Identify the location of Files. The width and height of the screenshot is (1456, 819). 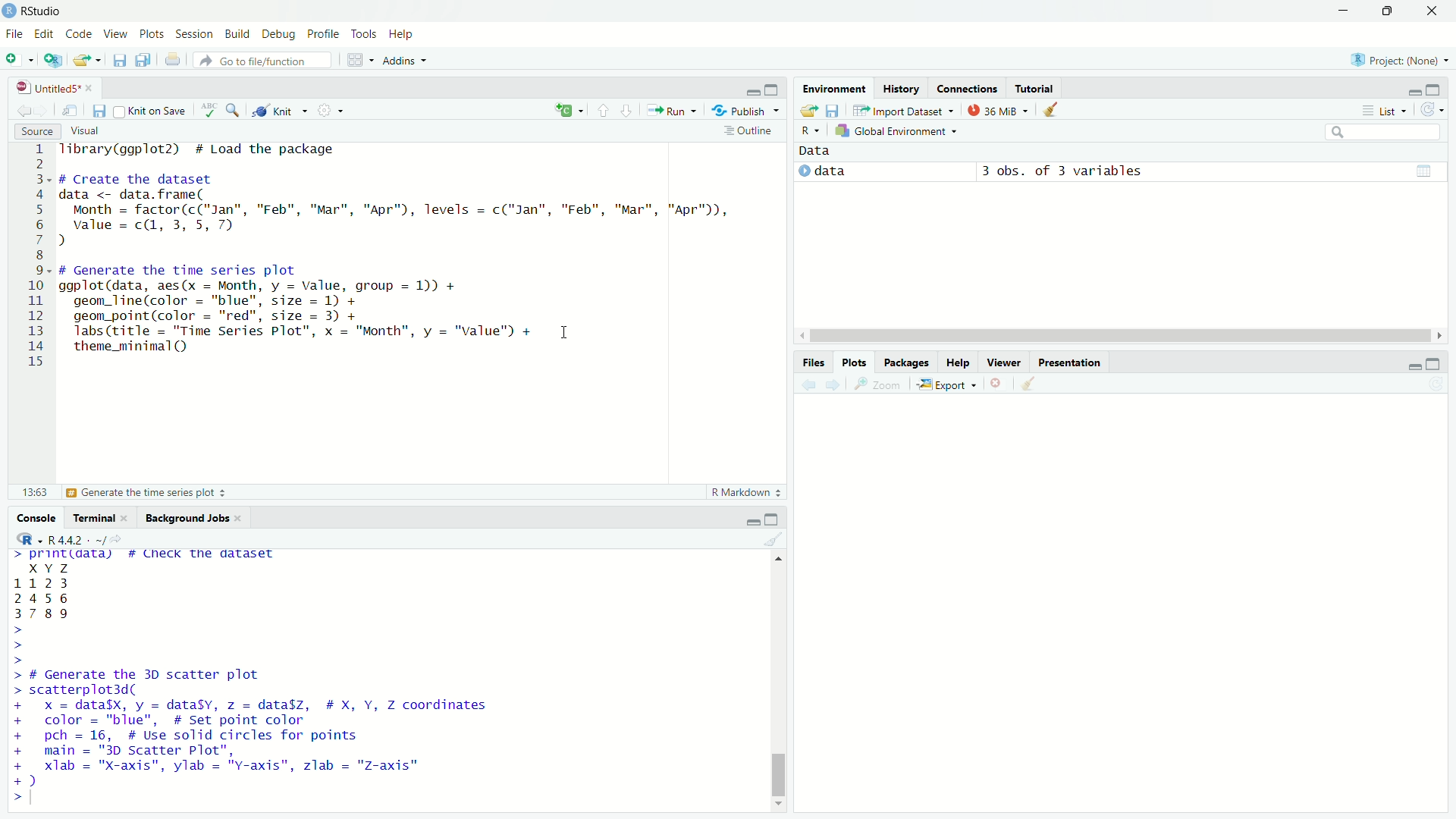
(814, 363).